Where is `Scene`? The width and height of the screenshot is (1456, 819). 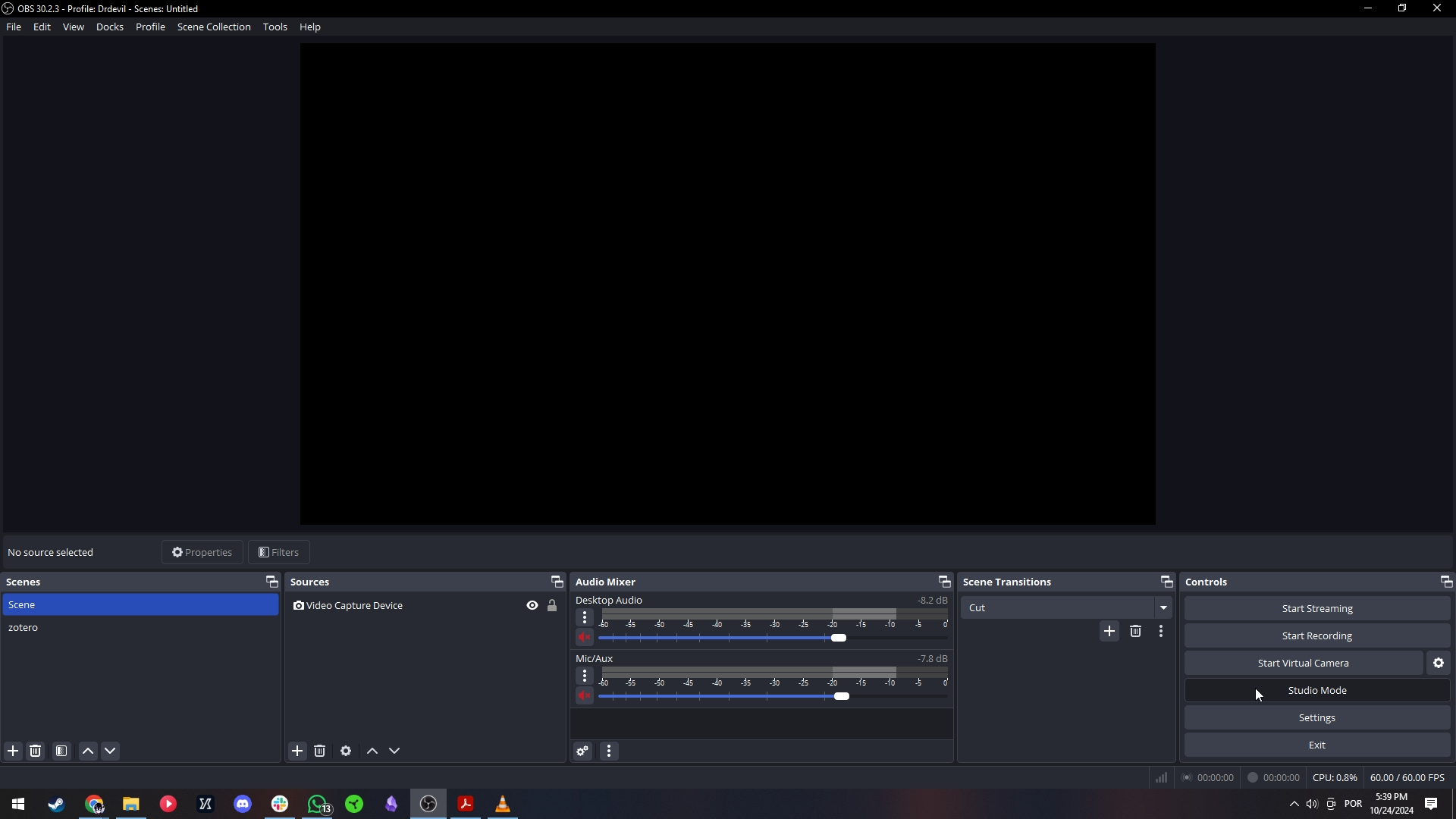 Scene is located at coordinates (143, 604).